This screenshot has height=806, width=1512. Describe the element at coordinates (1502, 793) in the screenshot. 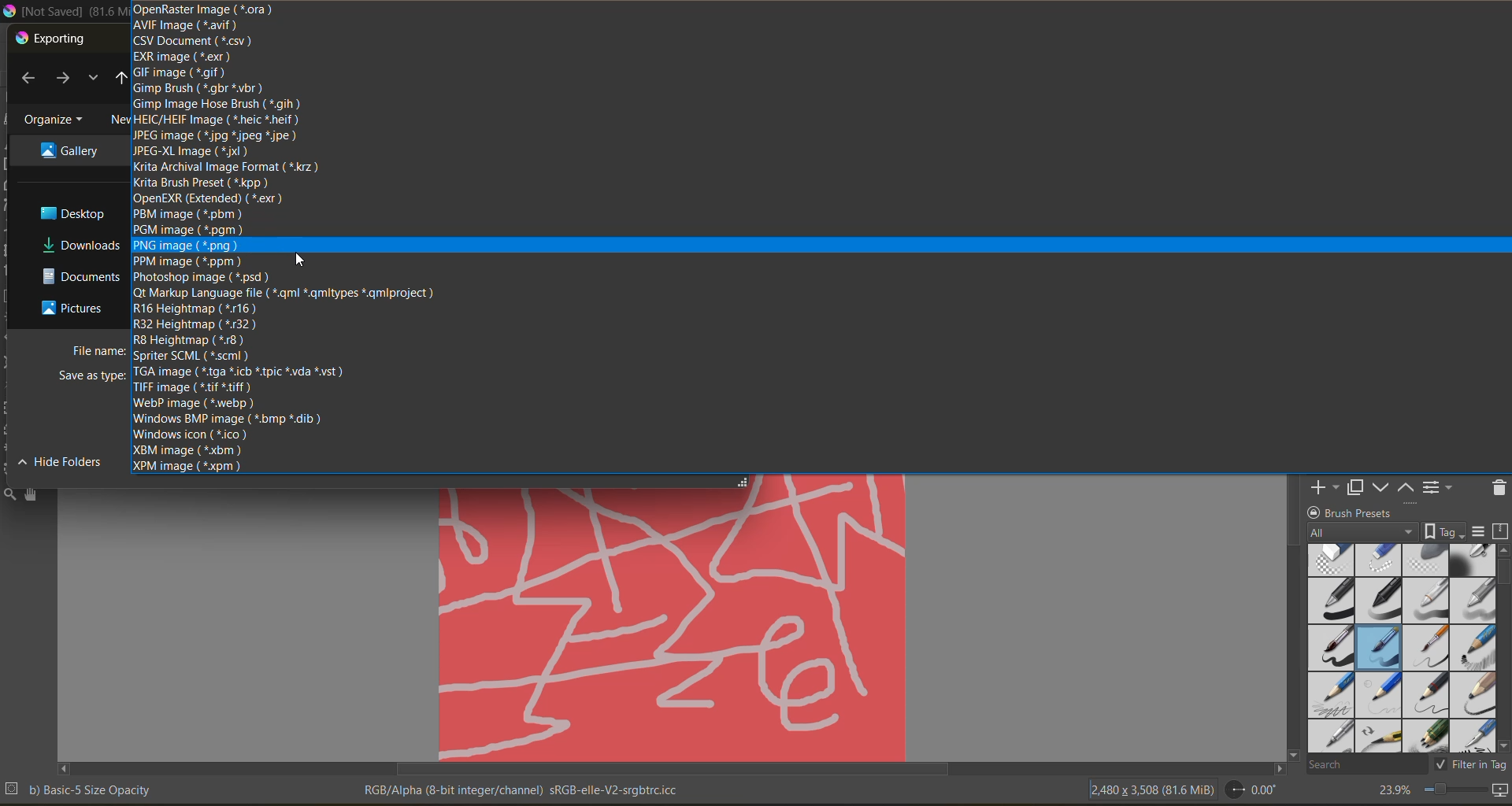

I see `map the canvas` at that location.